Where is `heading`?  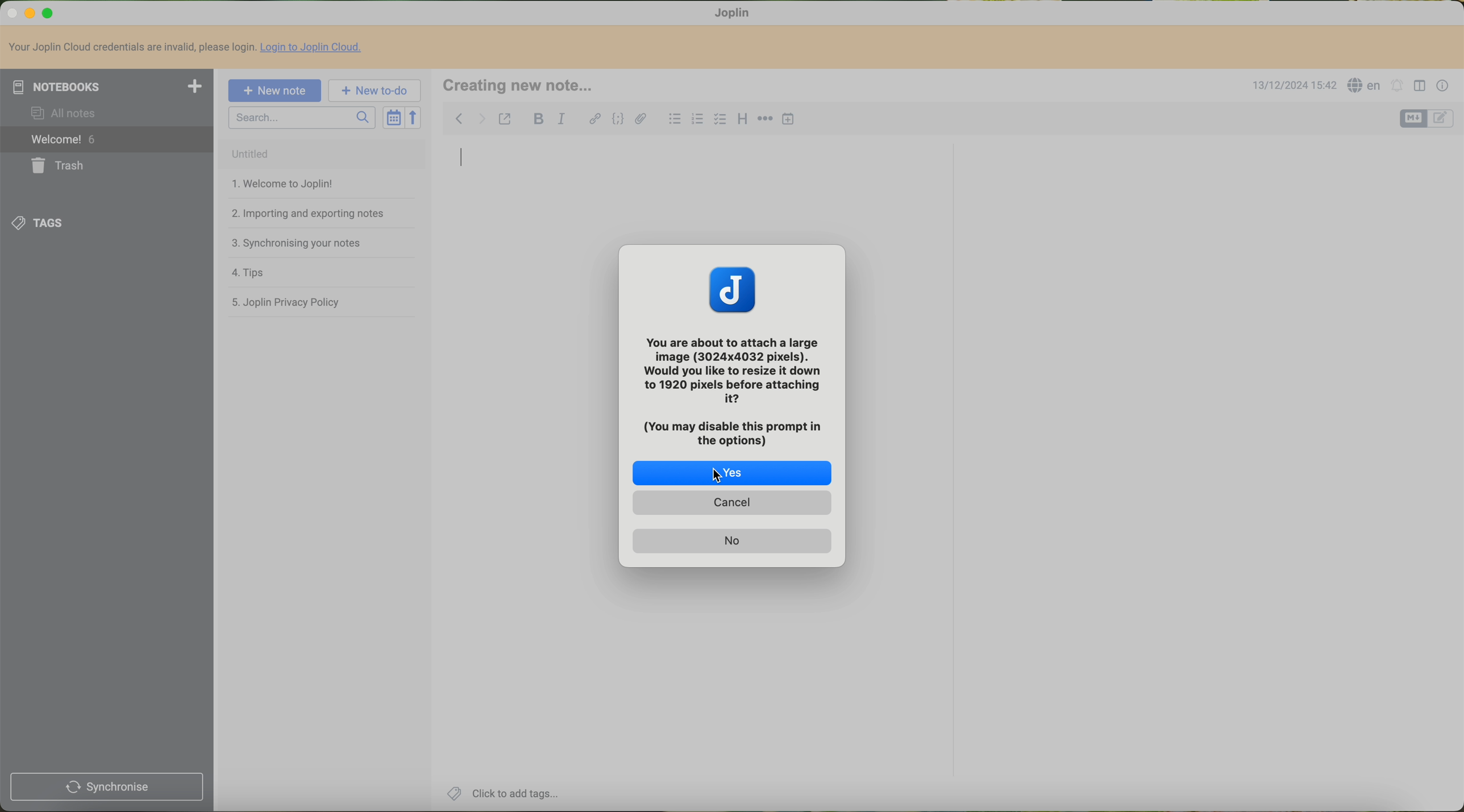 heading is located at coordinates (743, 120).